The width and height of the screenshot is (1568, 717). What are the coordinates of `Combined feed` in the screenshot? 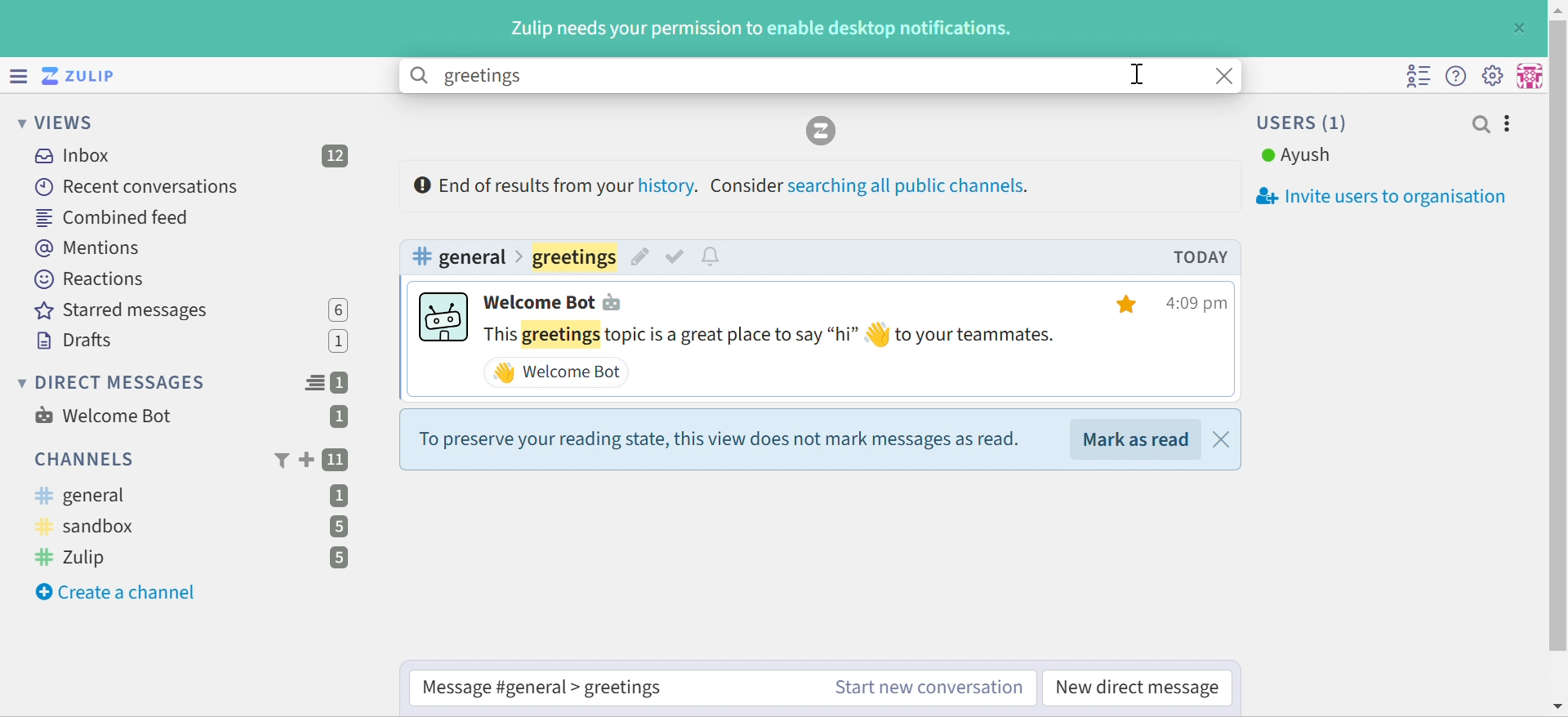 It's located at (112, 218).